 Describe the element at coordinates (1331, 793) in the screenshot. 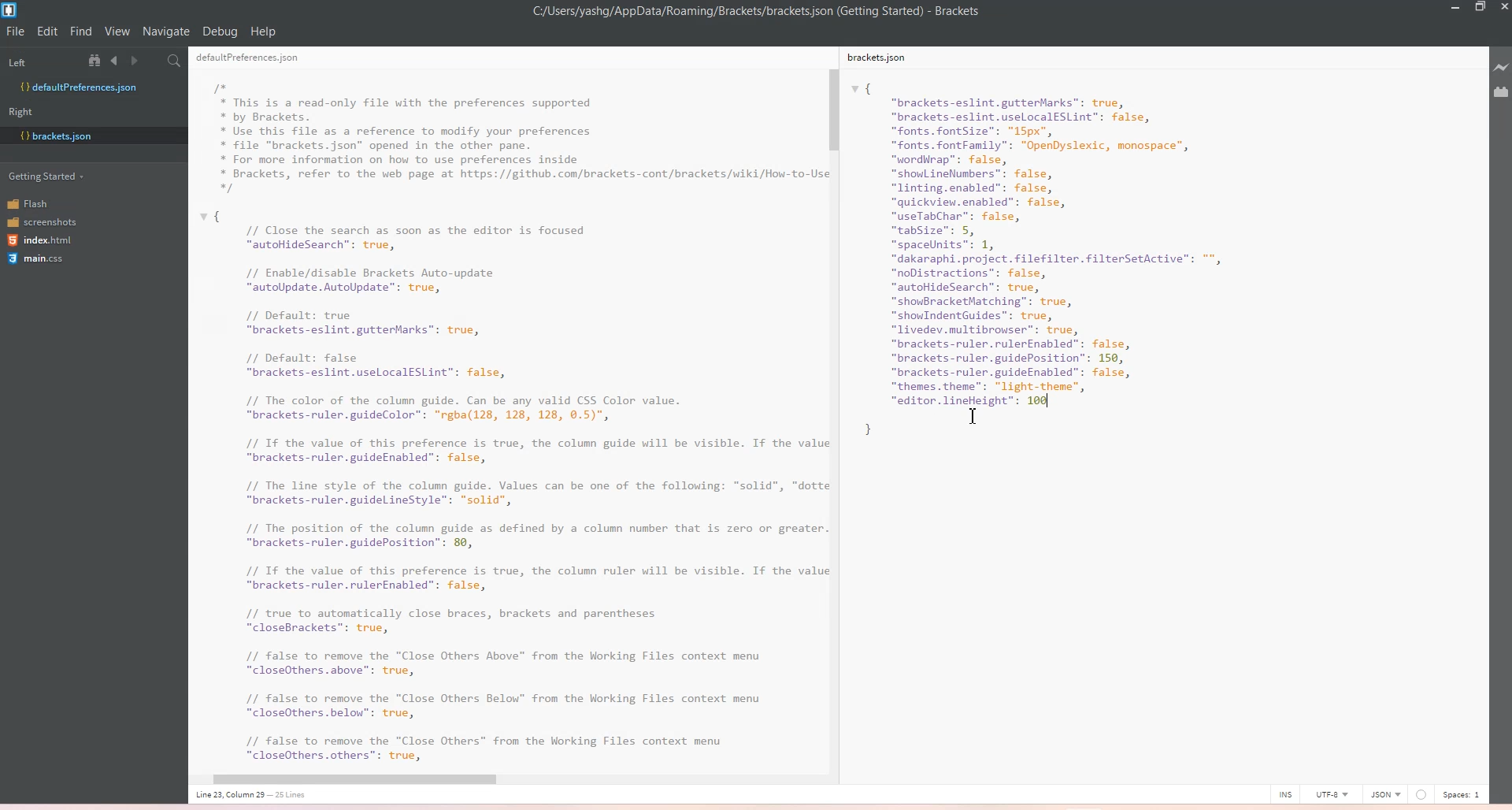

I see `UTF-8` at that location.